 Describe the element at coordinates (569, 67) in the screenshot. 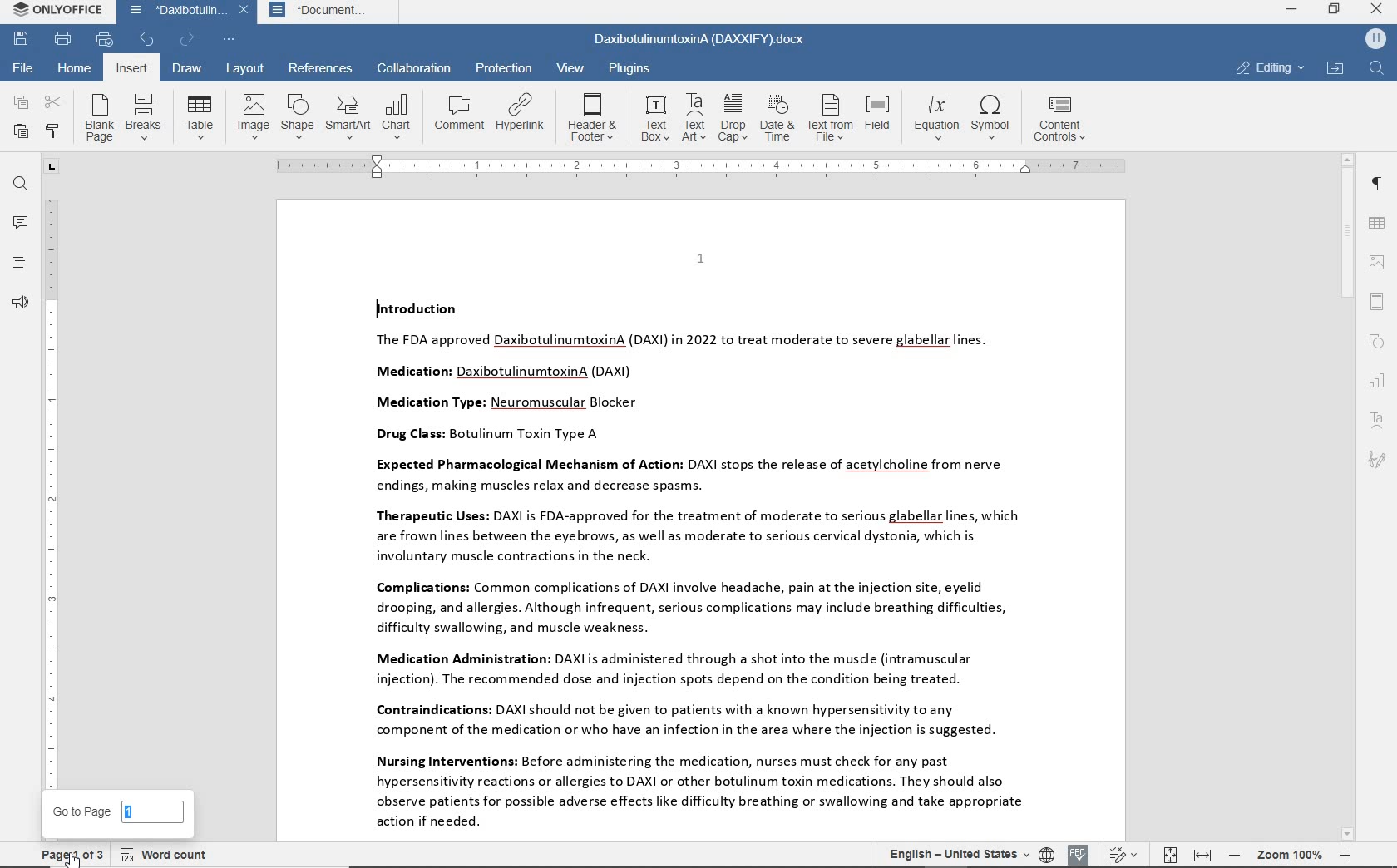

I see `view` at that location.